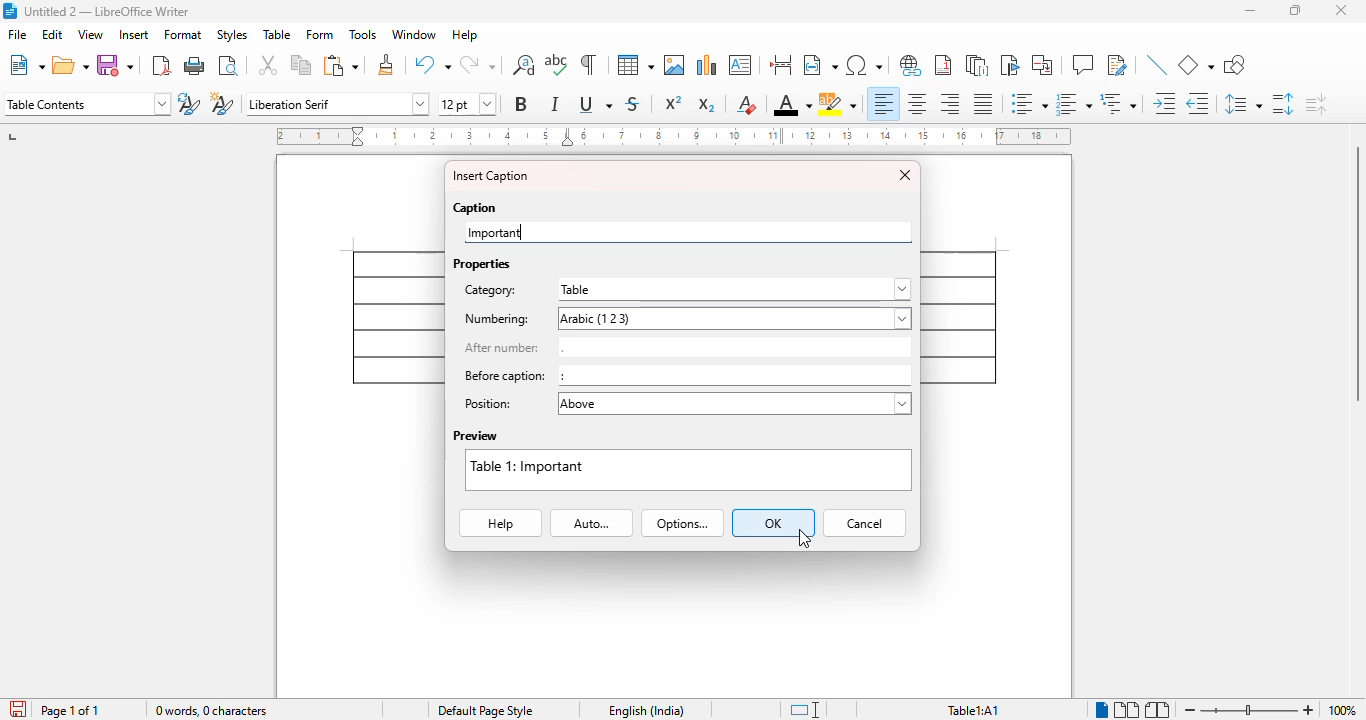  What do you see at coordinates (88, 104) in the screenshot?
I see `set page style` at bounding box center [88, 104].